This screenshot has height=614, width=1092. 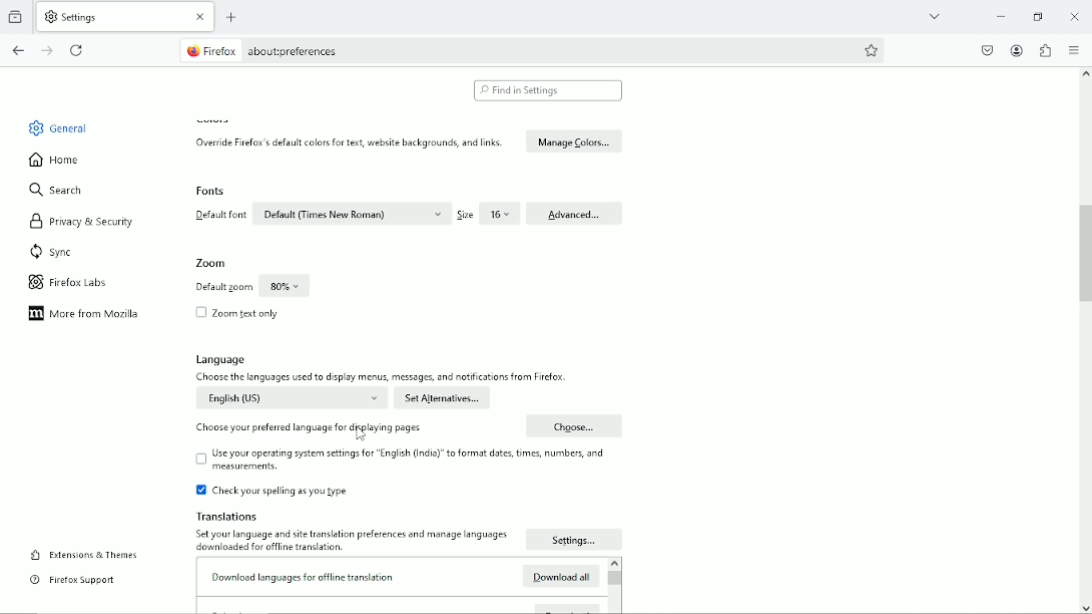 What do you see at coordinates (442, 399) in the screenshot?
I see `Set Alternatives...` at bounding box center [442, 399].